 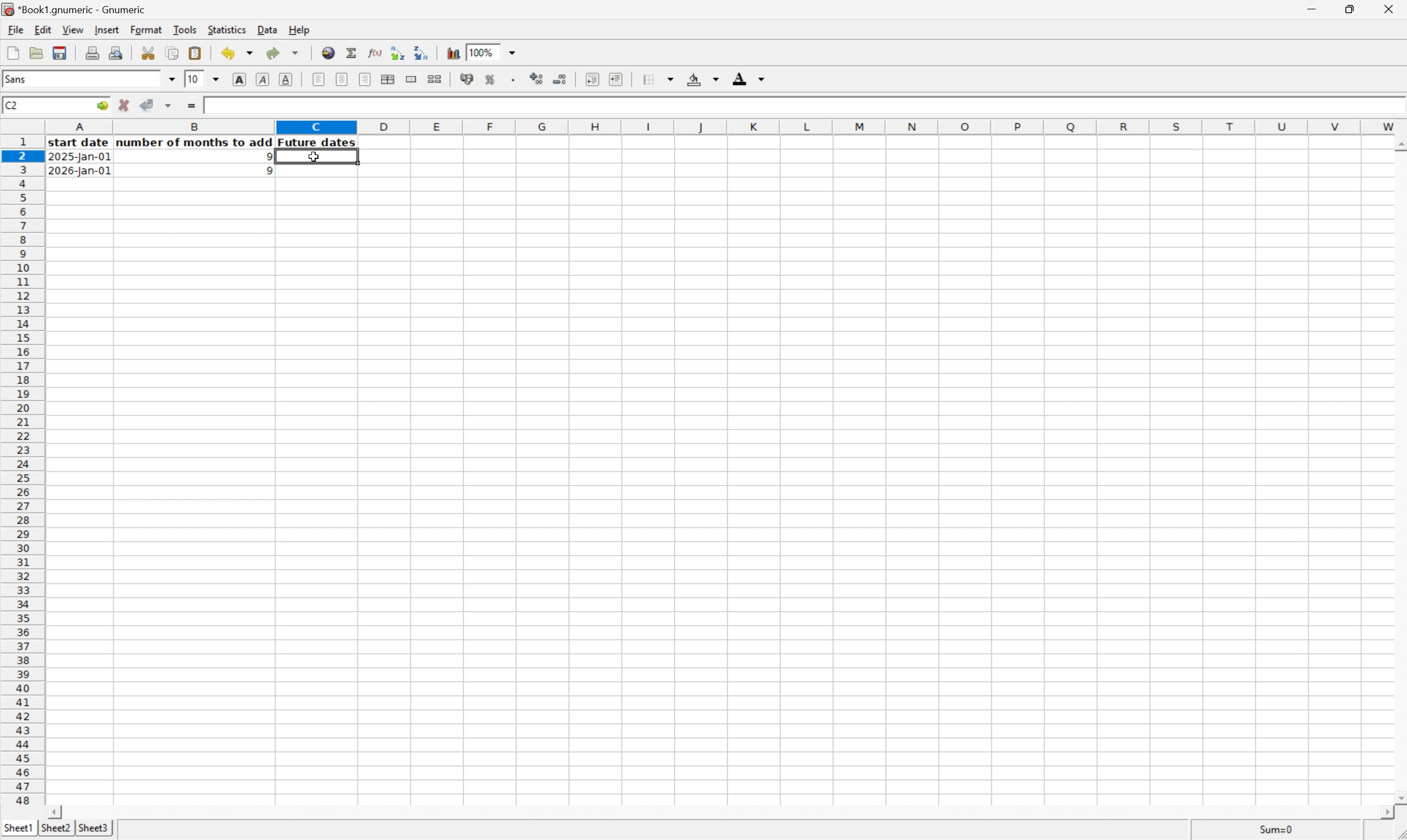 What do you see at coordinates (76, 10) in the screenshot?
I see `*Book1.gnumeric - Gnumeric` at bounding box center [76, 10].